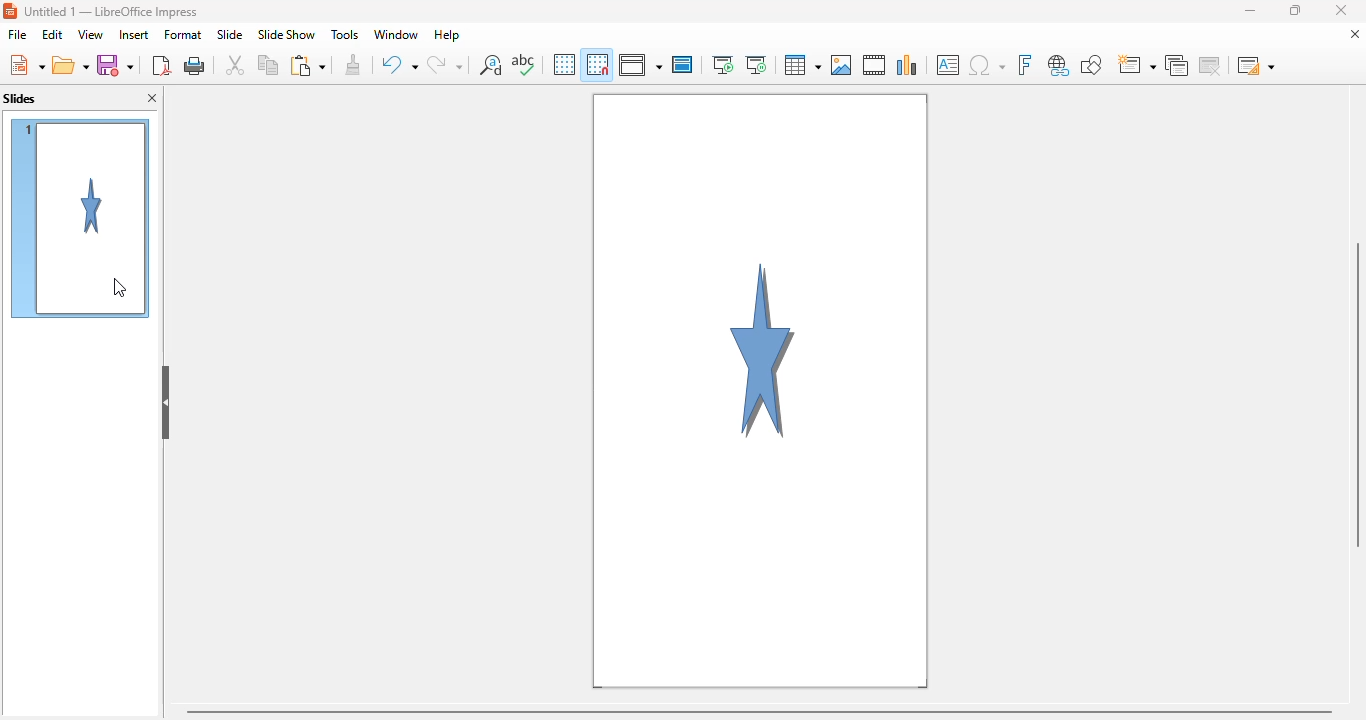 The height and width of the screenshot is (720, 1366). I want to click on view, so click(90, 35).